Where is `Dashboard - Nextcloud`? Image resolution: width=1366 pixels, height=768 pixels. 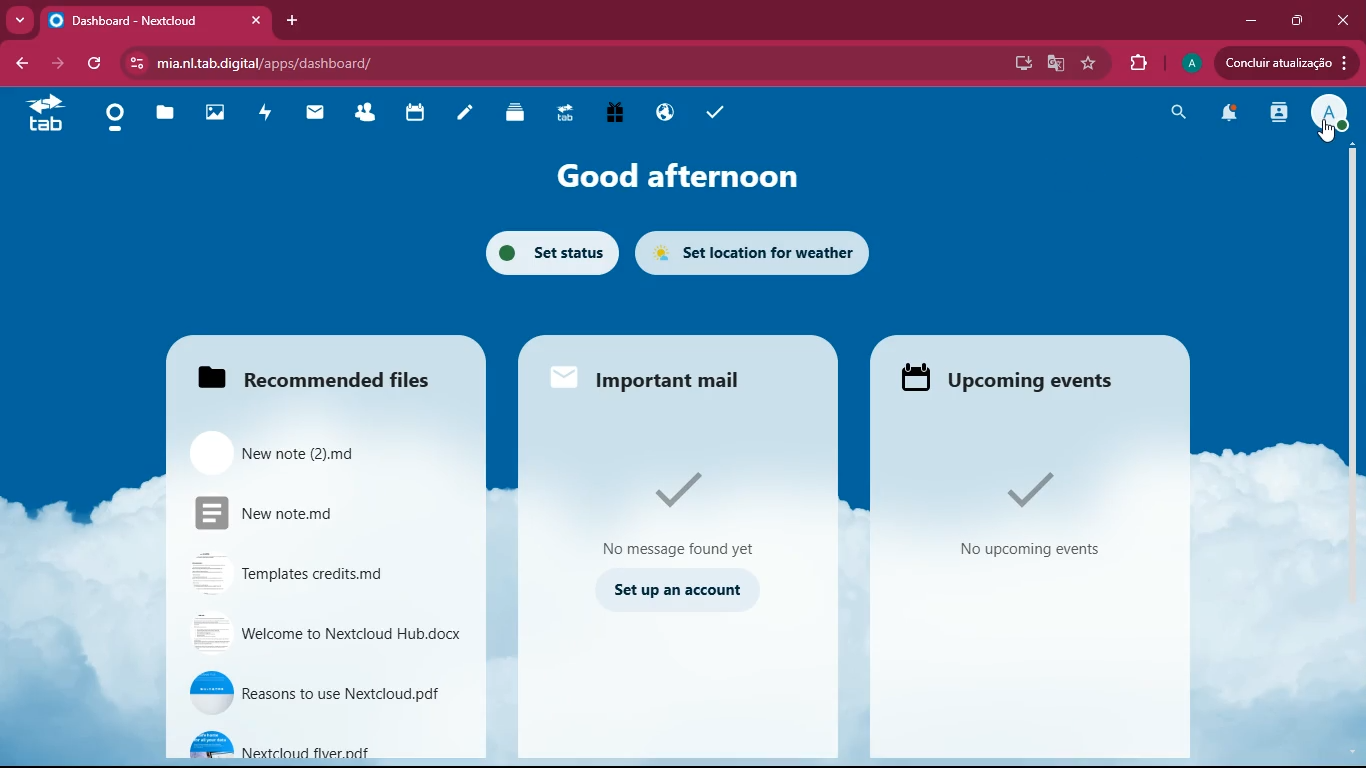
Dashboard - Nextcloud is located at coordinates (154, 21).